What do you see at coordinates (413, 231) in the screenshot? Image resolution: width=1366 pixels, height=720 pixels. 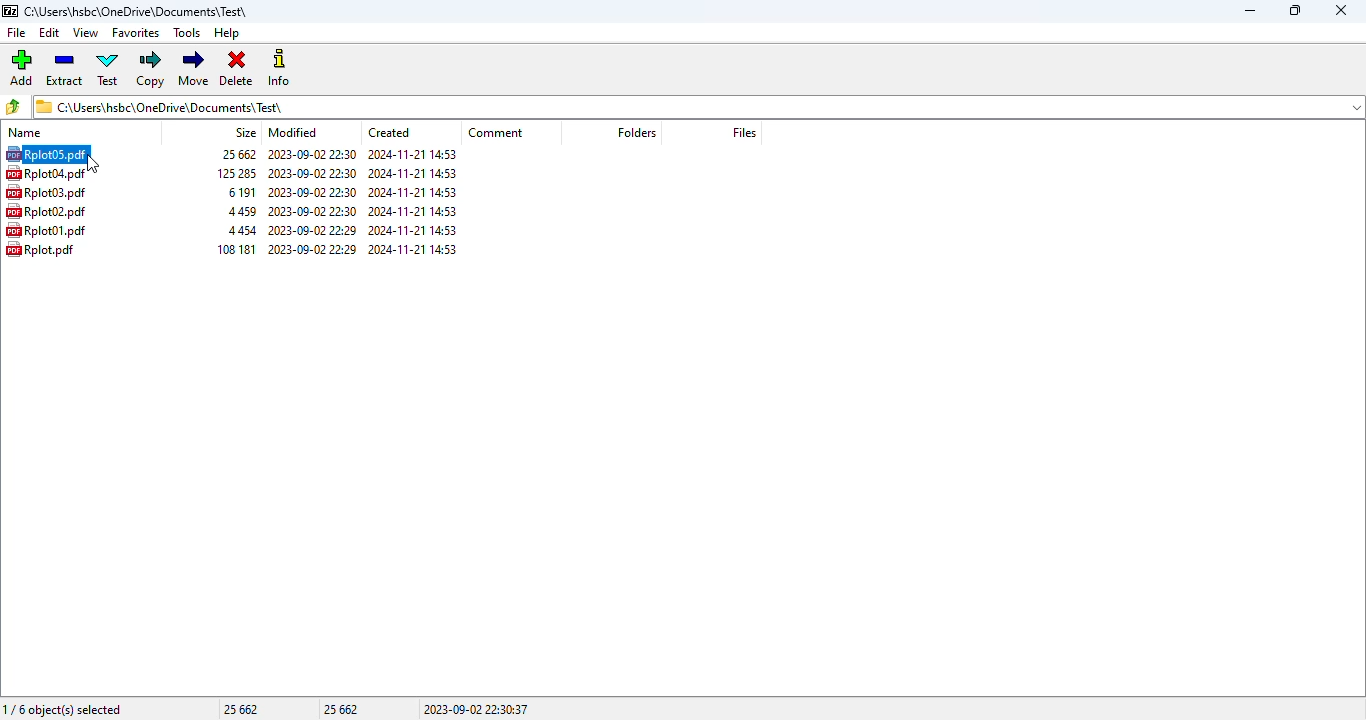 I see `created date & time` at bounding box center [413, 231].